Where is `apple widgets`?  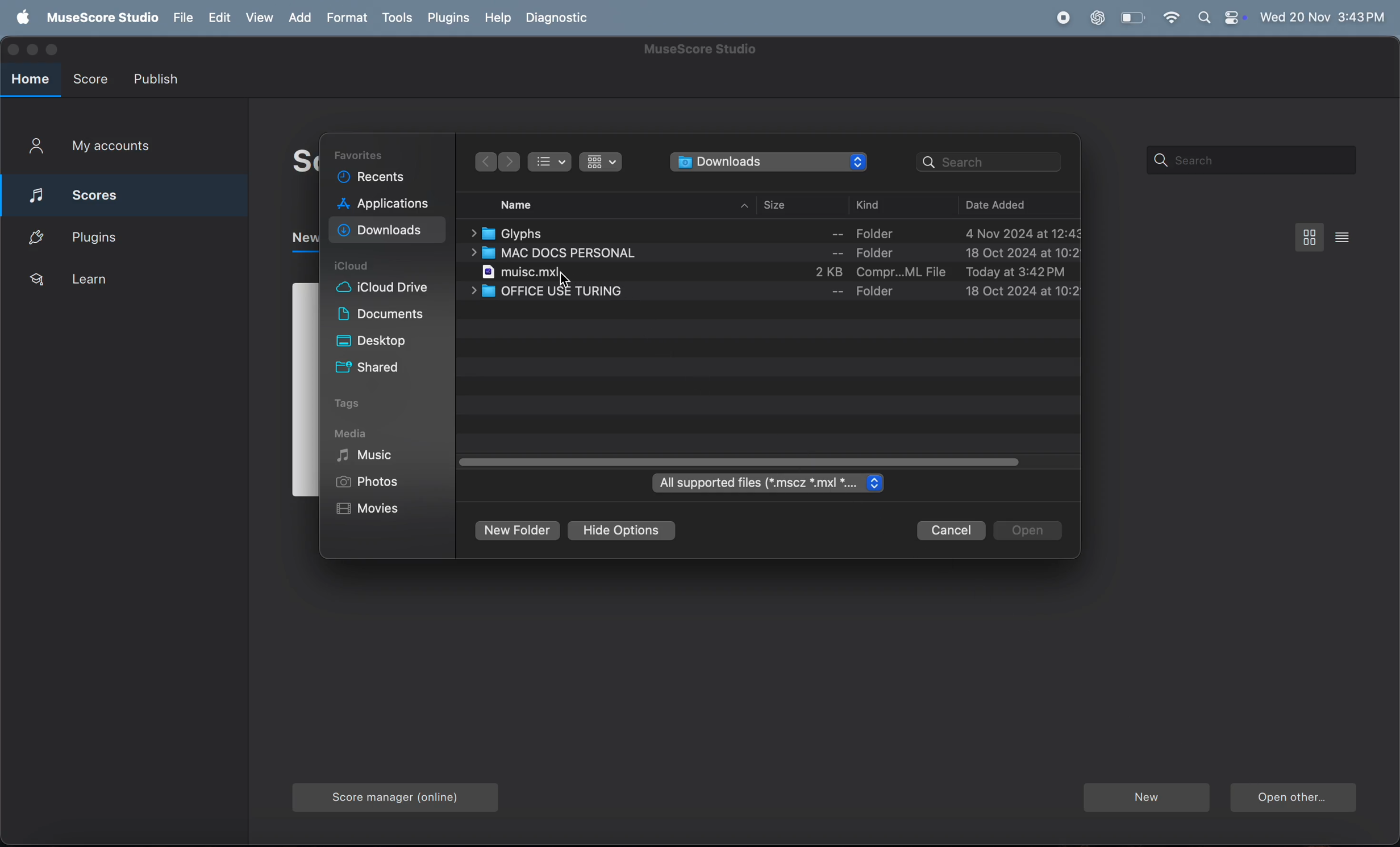
apple widgets is located at coordinates (1219, 18).